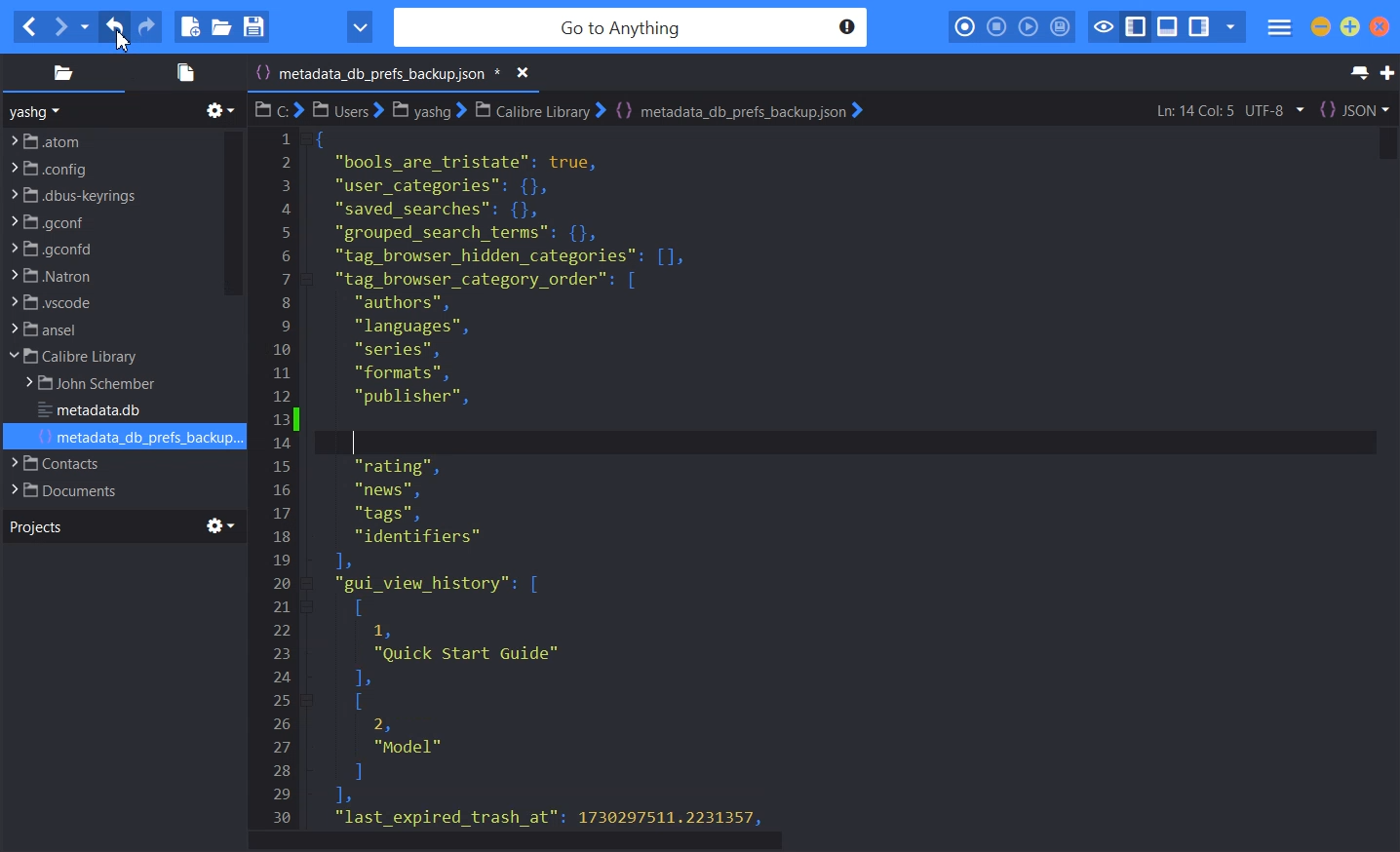 This screenshot has width=1400, height=852. What do you see at coordinates (138, 438) in the screenshot?
I see `File` at bounding box center [138, 438].